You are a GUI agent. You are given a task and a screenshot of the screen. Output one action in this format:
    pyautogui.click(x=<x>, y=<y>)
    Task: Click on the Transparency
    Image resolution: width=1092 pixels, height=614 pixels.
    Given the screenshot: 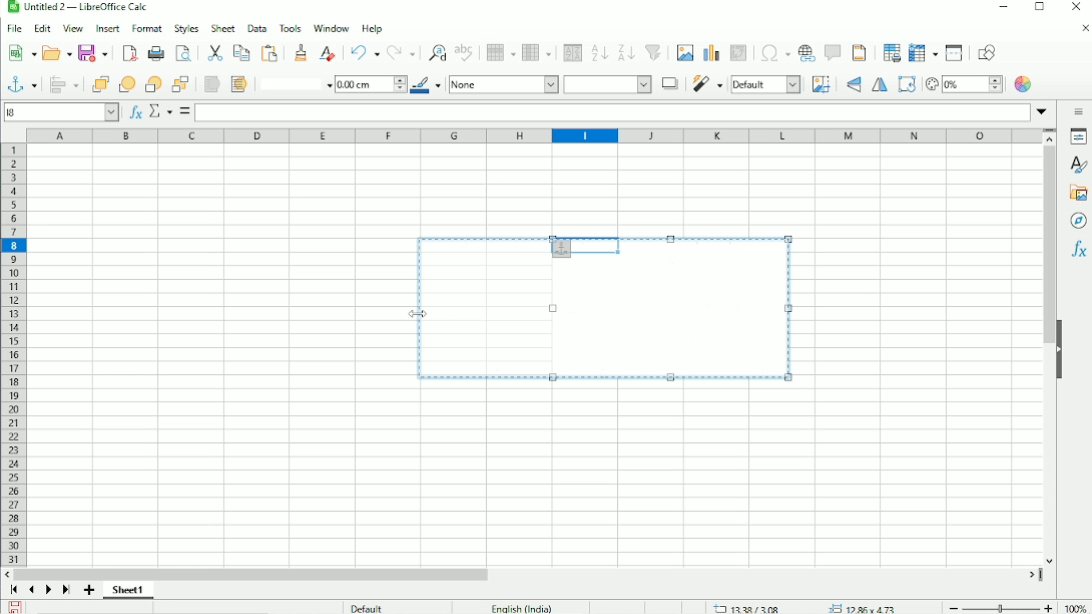 What is the action you would take?
    pyautogui.click(x=963, y=84)
    